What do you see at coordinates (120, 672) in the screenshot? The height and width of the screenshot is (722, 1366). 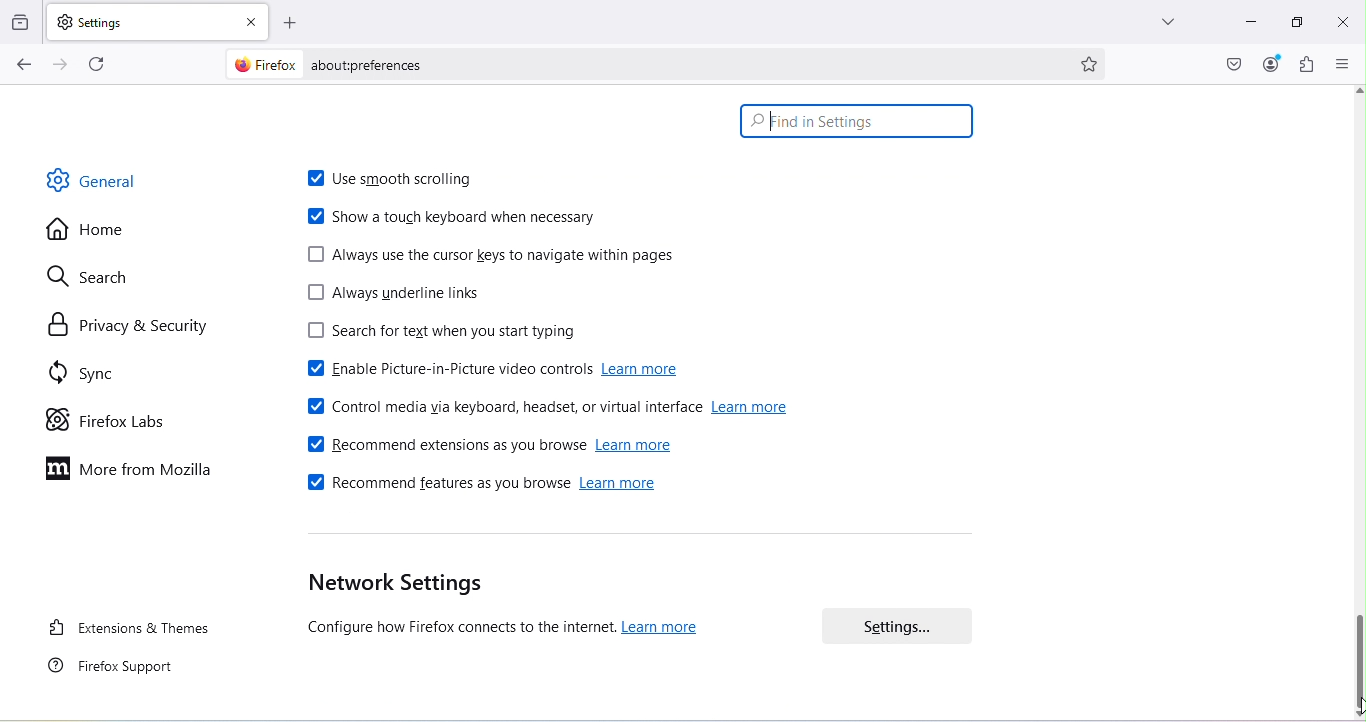 I see `Firefox support` at bounding box center [120, 672].